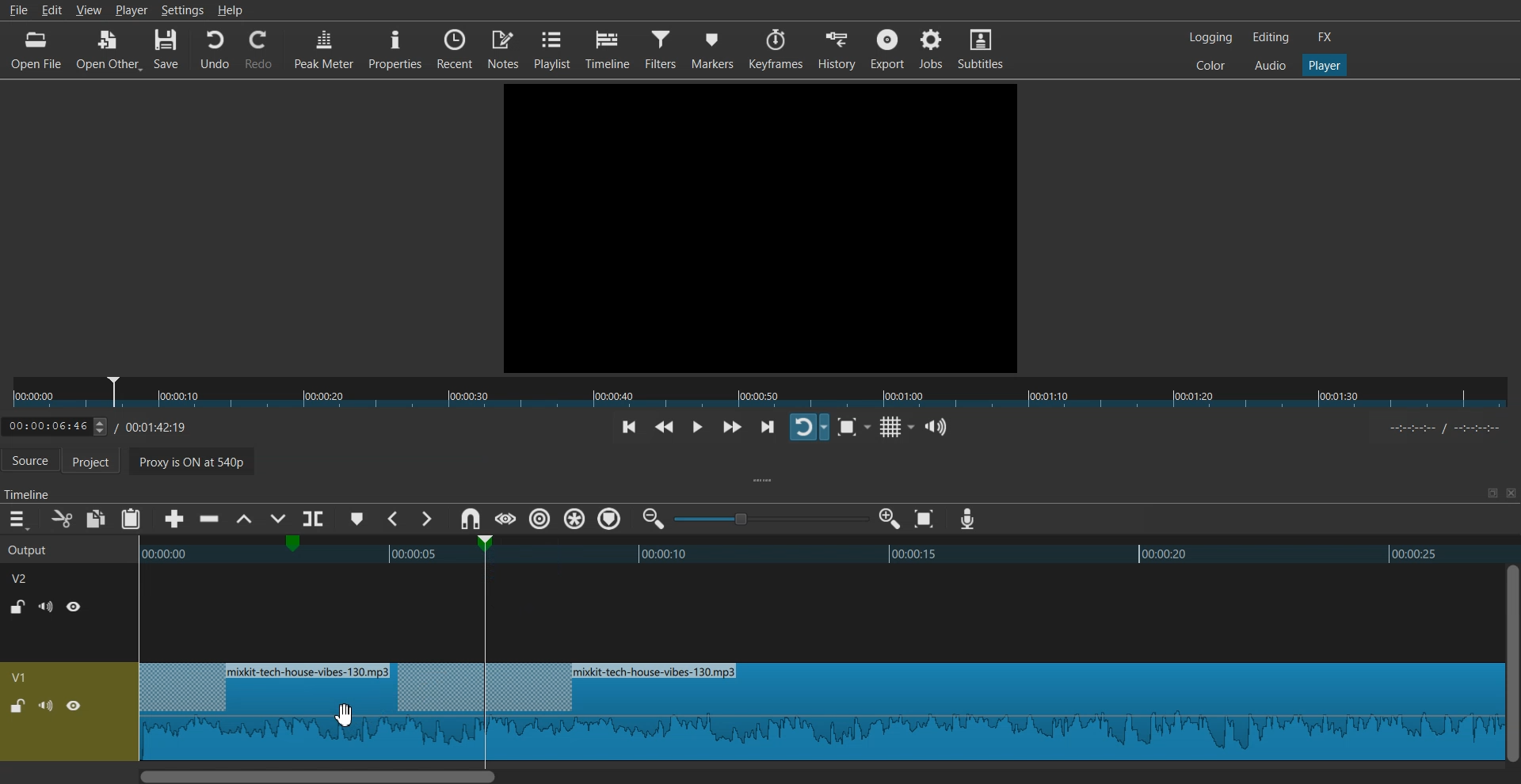 This screenshot has width=1521, height=784. I want to click on Editing, so click(1271, 36).